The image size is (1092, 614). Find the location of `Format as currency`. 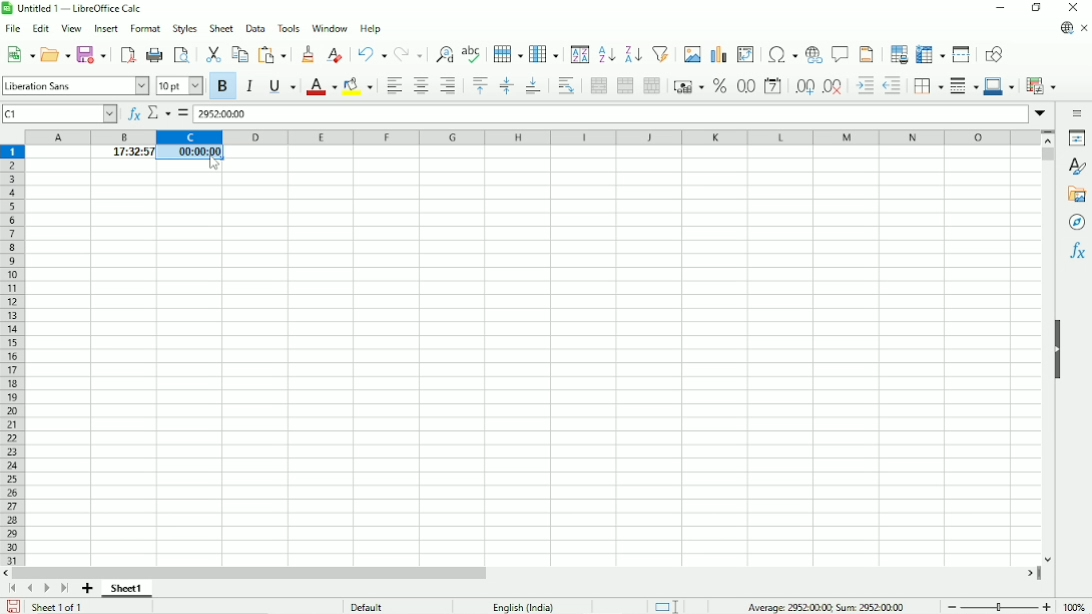

Format as currency is located at coordinates (689, 87).